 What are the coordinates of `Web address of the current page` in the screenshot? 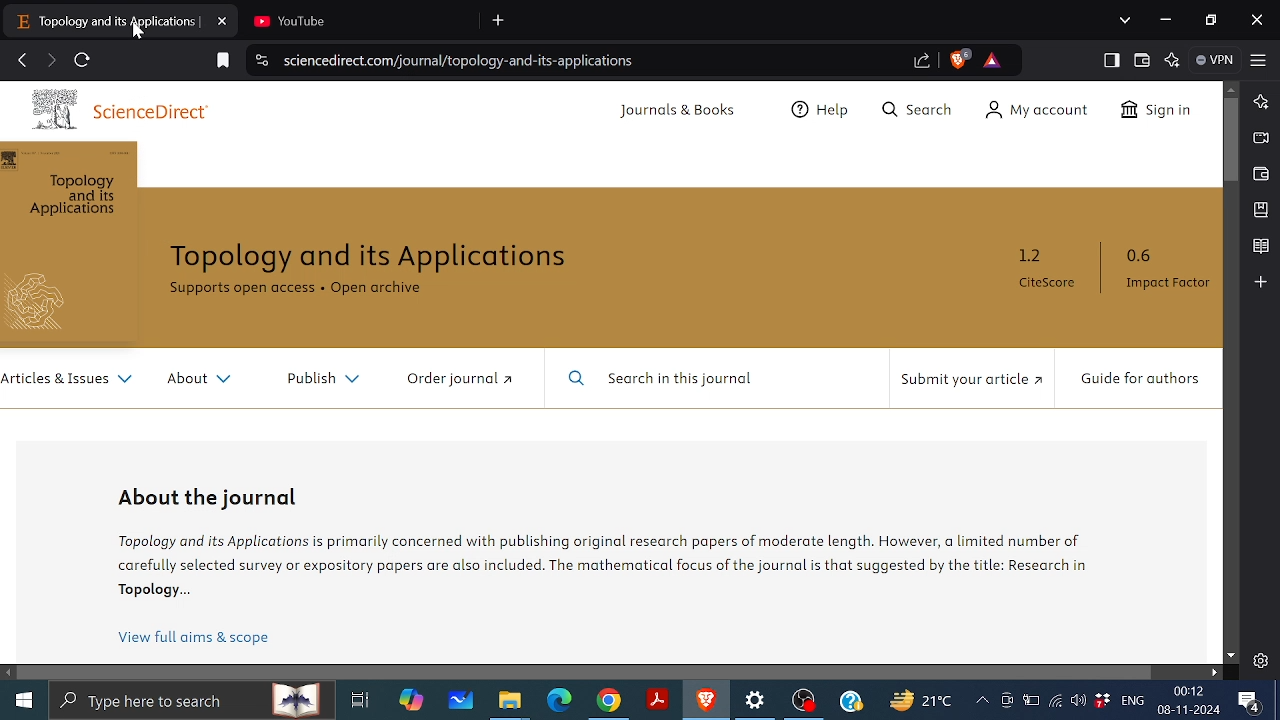 It's located at (465, 61).